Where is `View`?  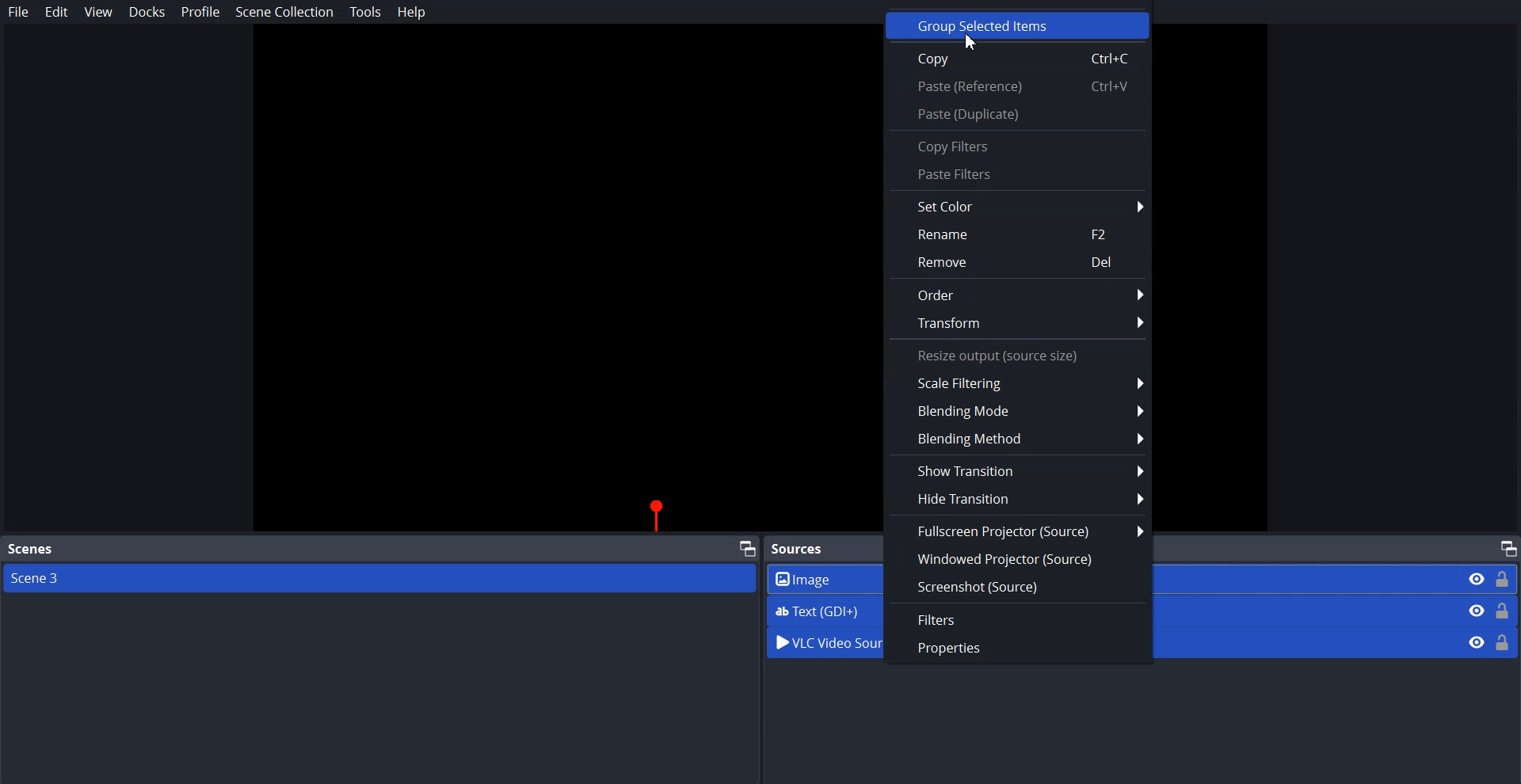
View is located at coordinates (98, 13).